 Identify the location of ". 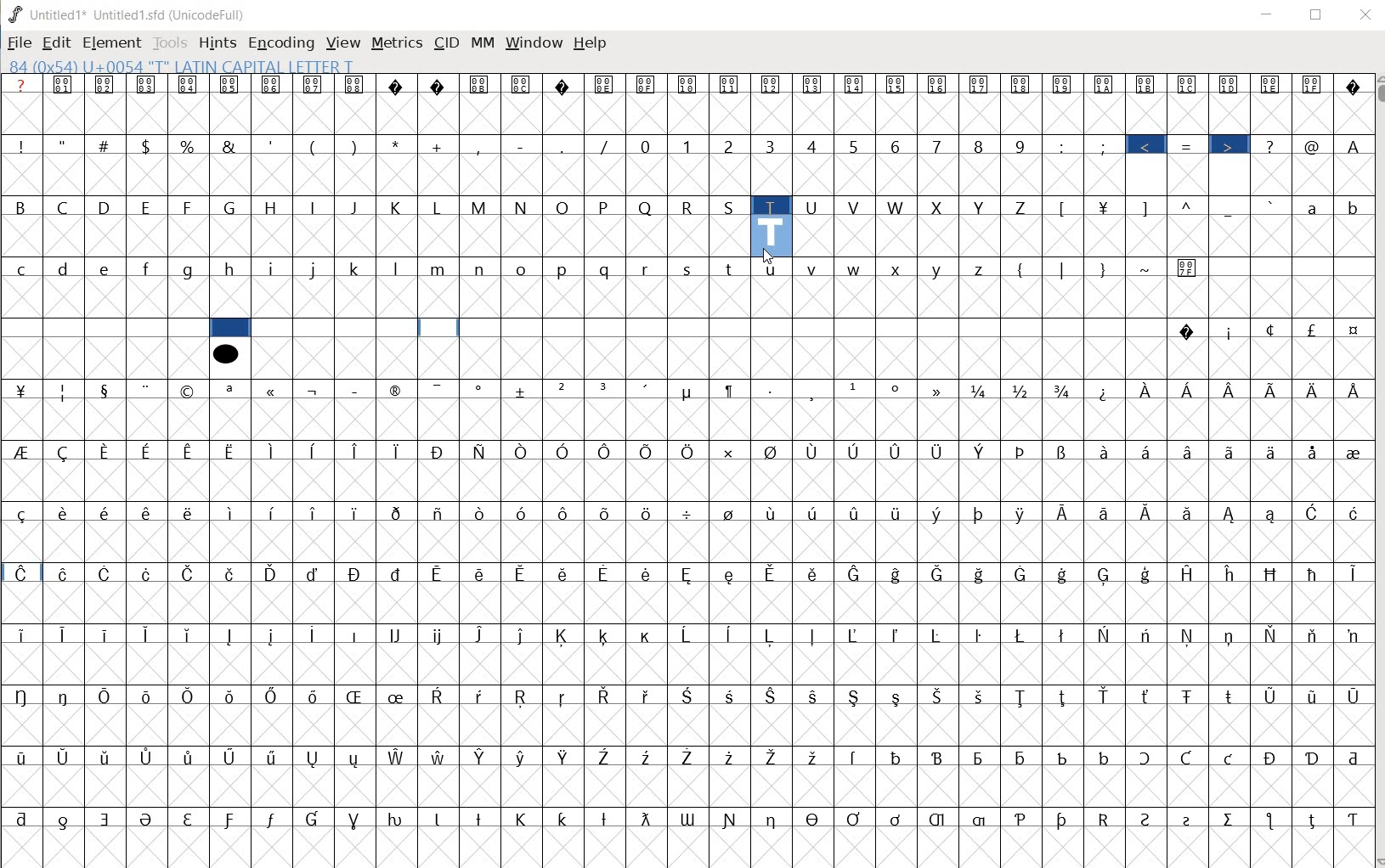
(65, 144).